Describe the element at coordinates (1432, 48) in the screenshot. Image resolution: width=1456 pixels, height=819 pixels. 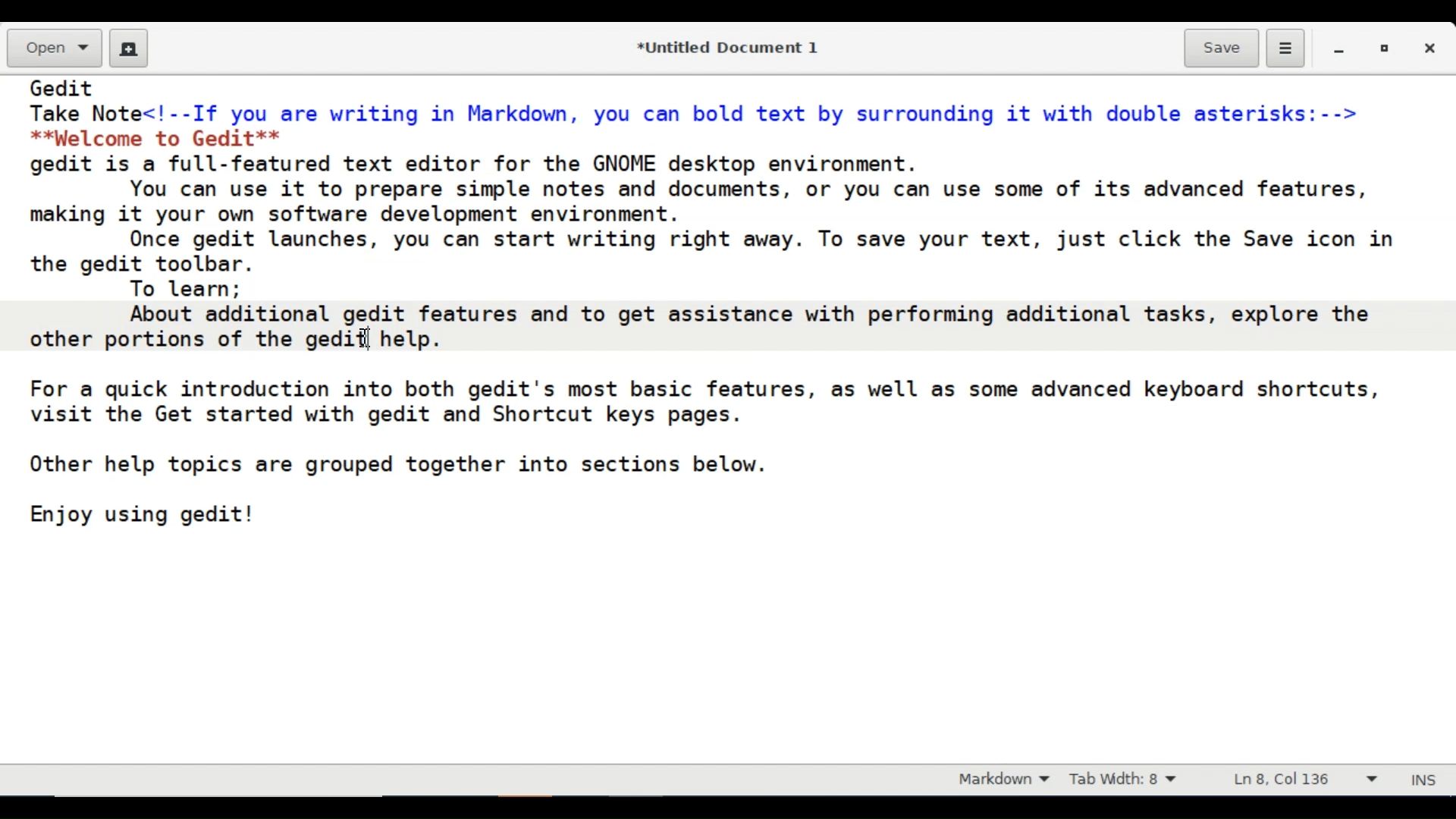
I see `Close` at that location.